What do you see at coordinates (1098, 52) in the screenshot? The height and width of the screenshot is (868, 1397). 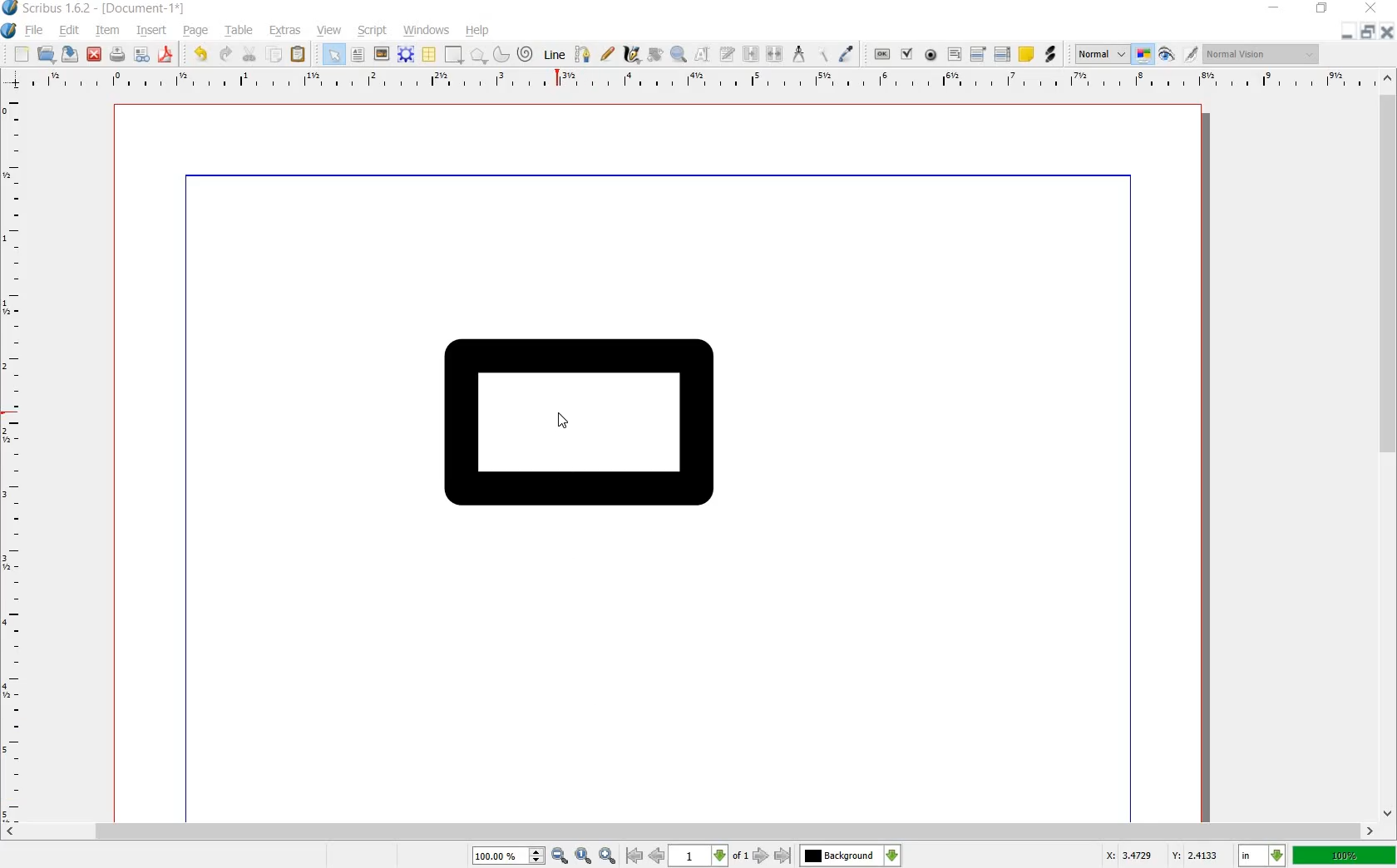 I see `normal(select the image preview quality)` at bounding box center [1098, 52].